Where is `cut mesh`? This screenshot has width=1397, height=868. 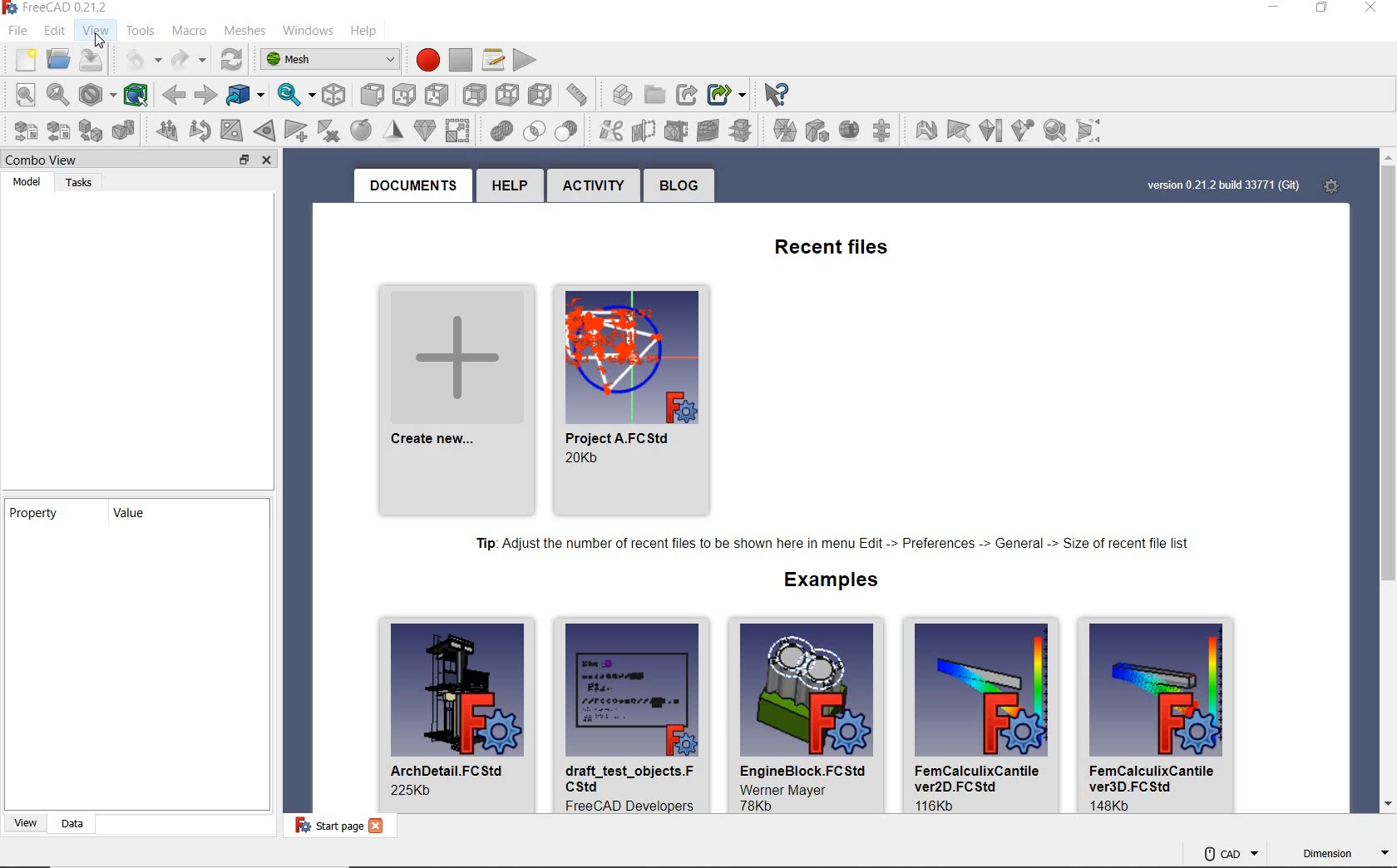 cut mesh is located at coordinates (570, 131).